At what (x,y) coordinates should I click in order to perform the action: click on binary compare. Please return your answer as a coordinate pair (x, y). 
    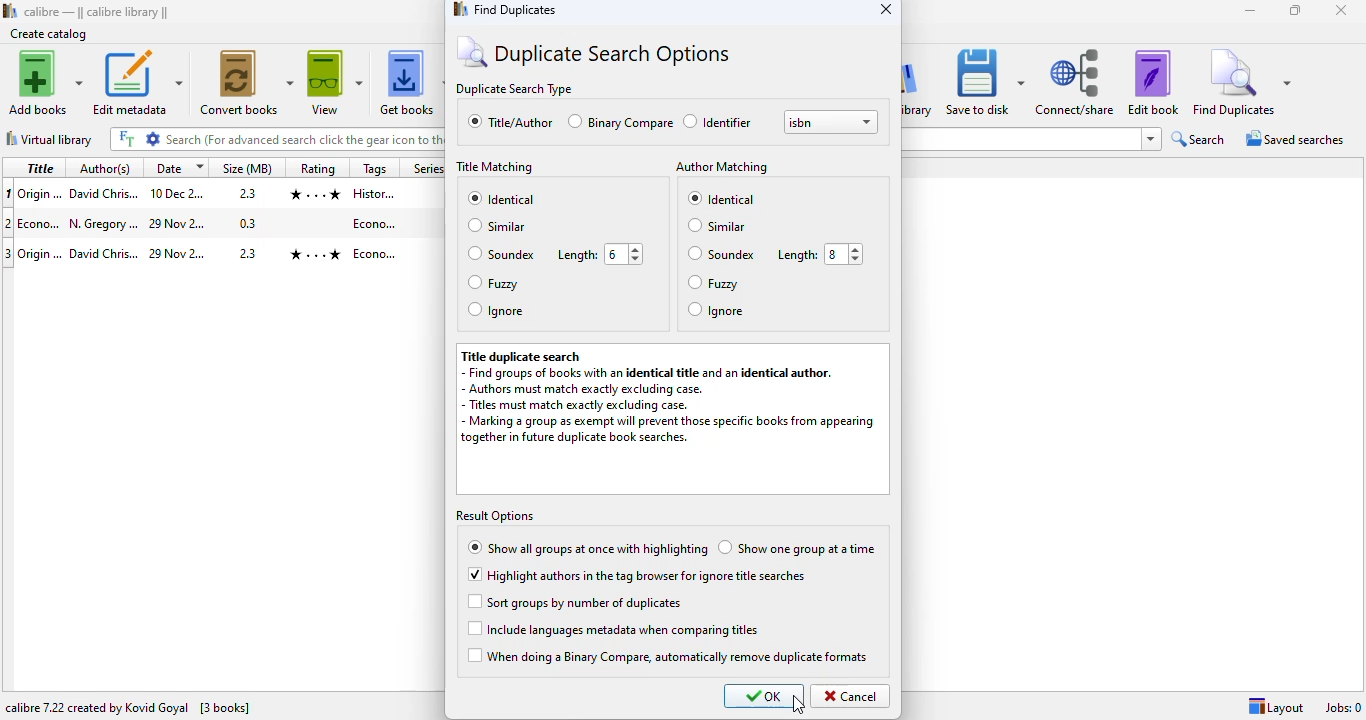
    Looking at the image, I should click on (620, 122).